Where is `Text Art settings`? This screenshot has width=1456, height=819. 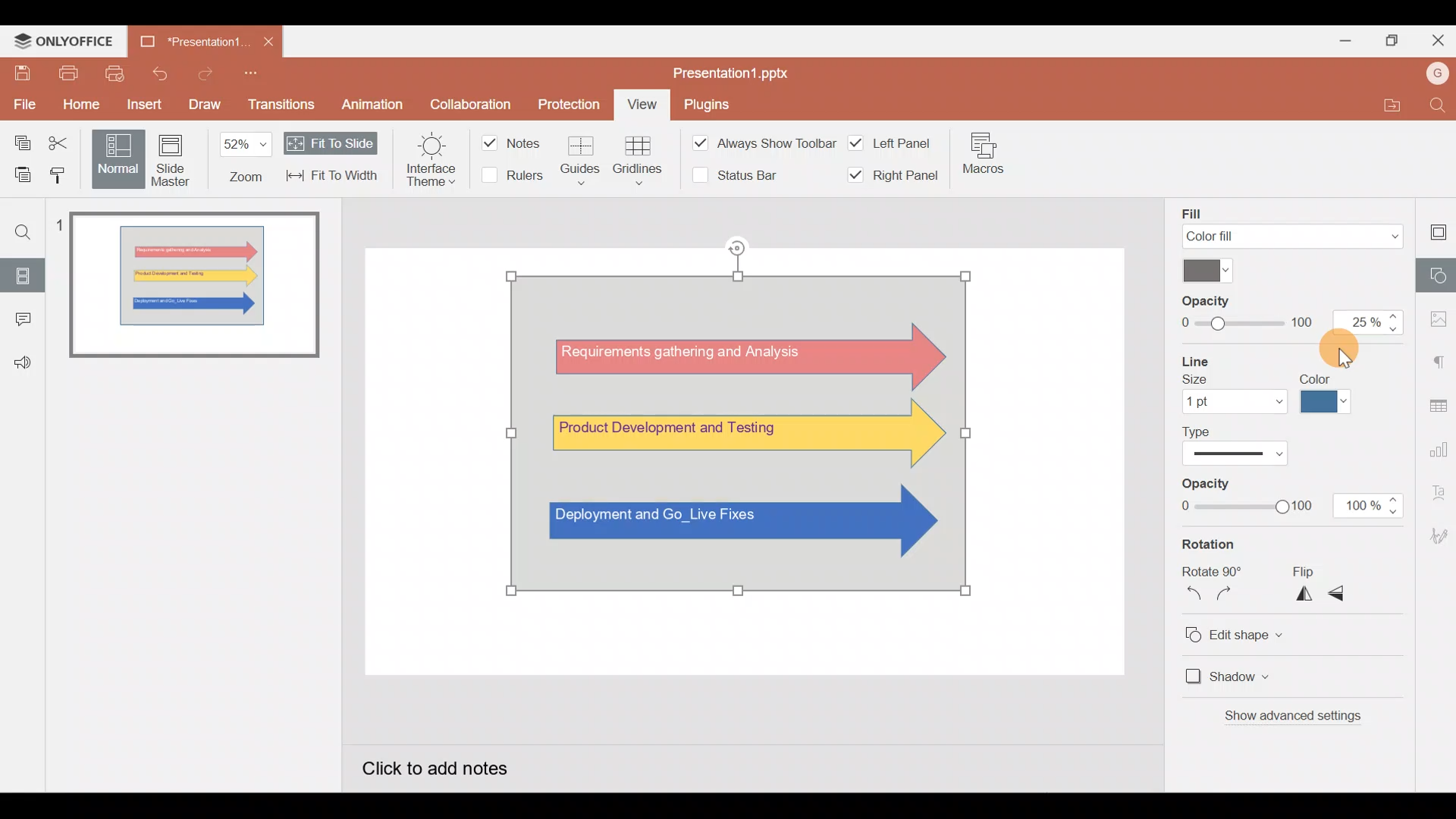
Text Art settings is located at coordinates (1437, 495).